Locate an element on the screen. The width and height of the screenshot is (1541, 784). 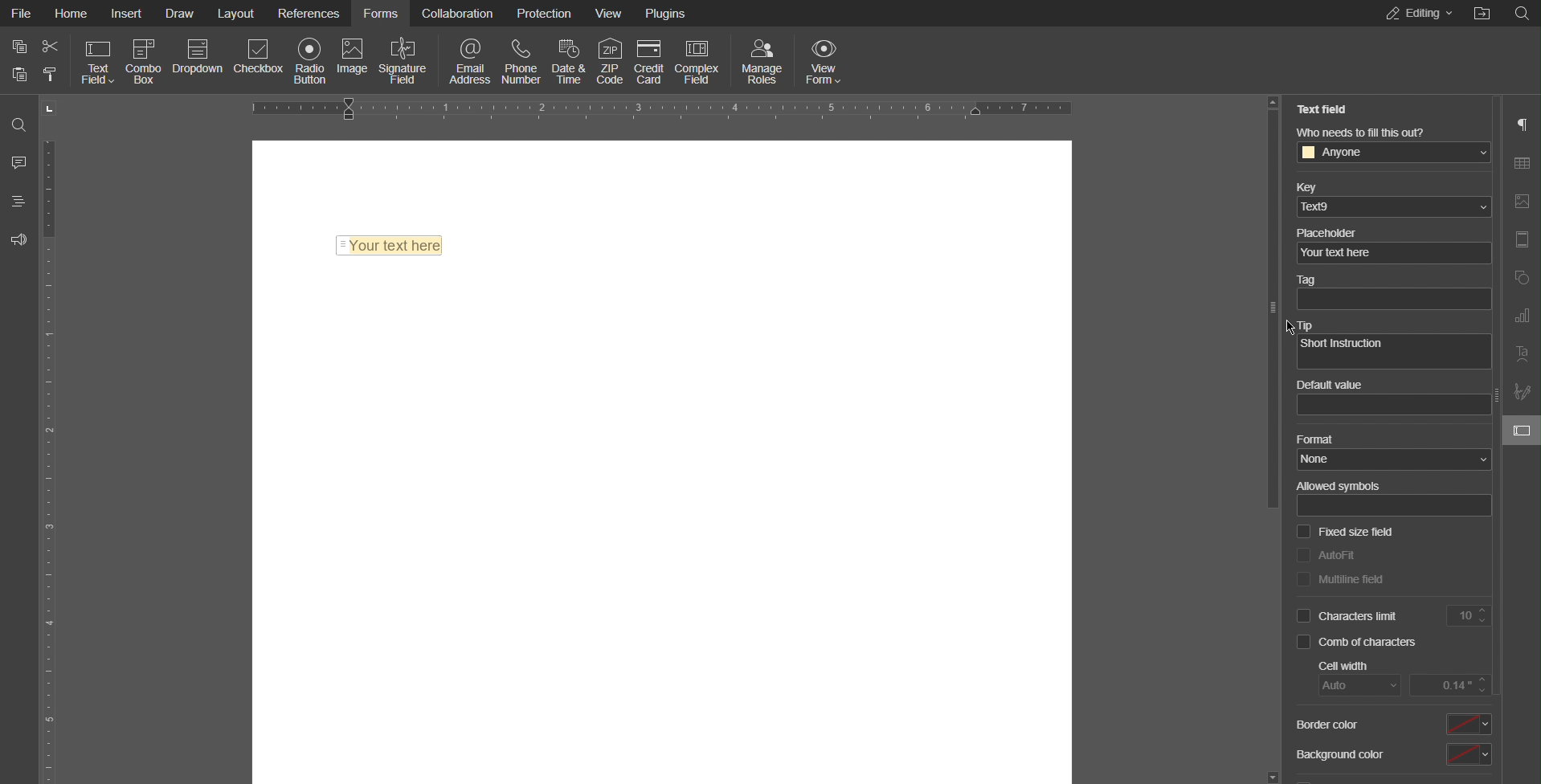
checkbox is located at coordinates (1304, 642).